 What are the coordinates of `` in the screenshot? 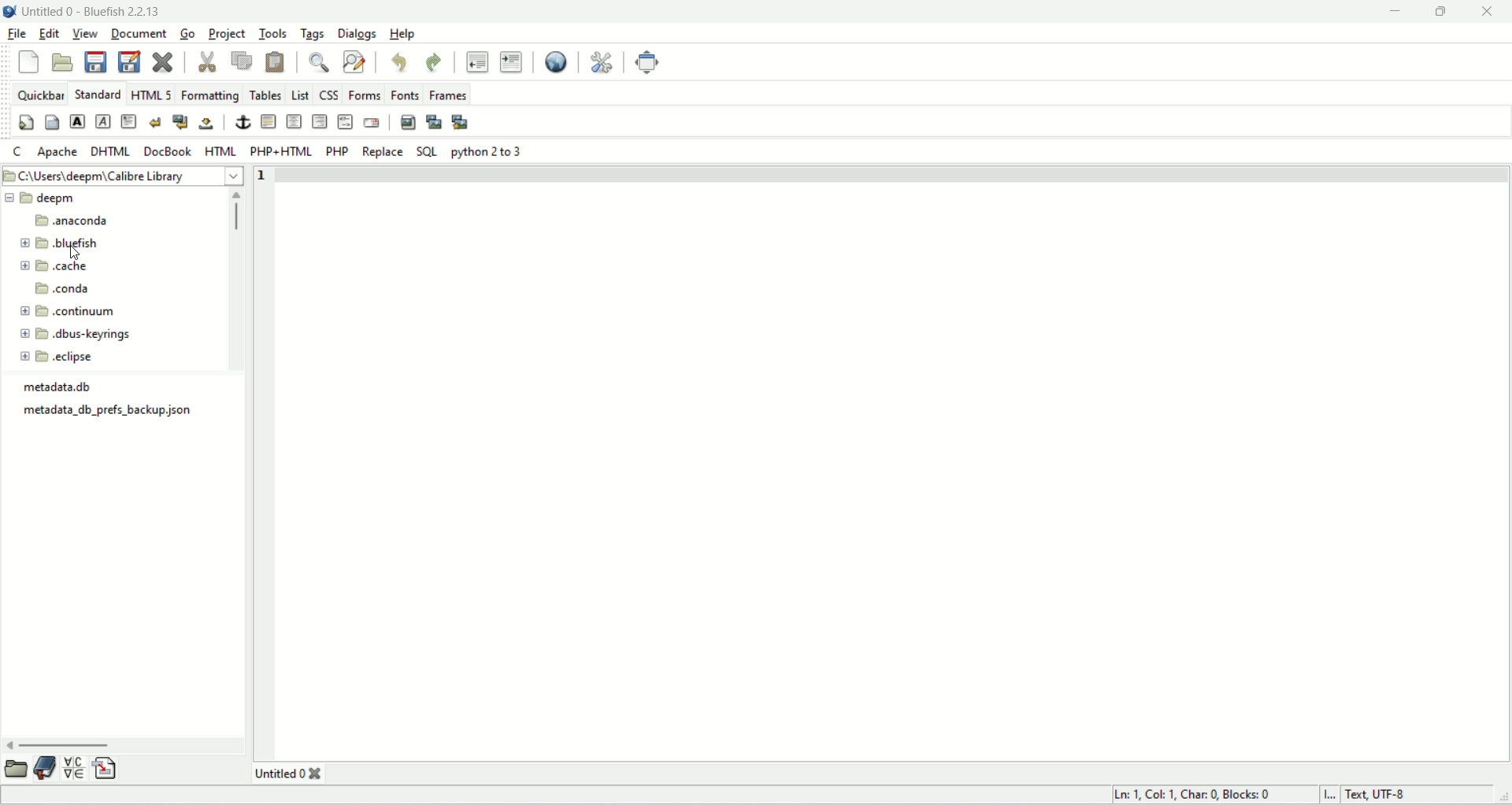 It's located at (62, 387).